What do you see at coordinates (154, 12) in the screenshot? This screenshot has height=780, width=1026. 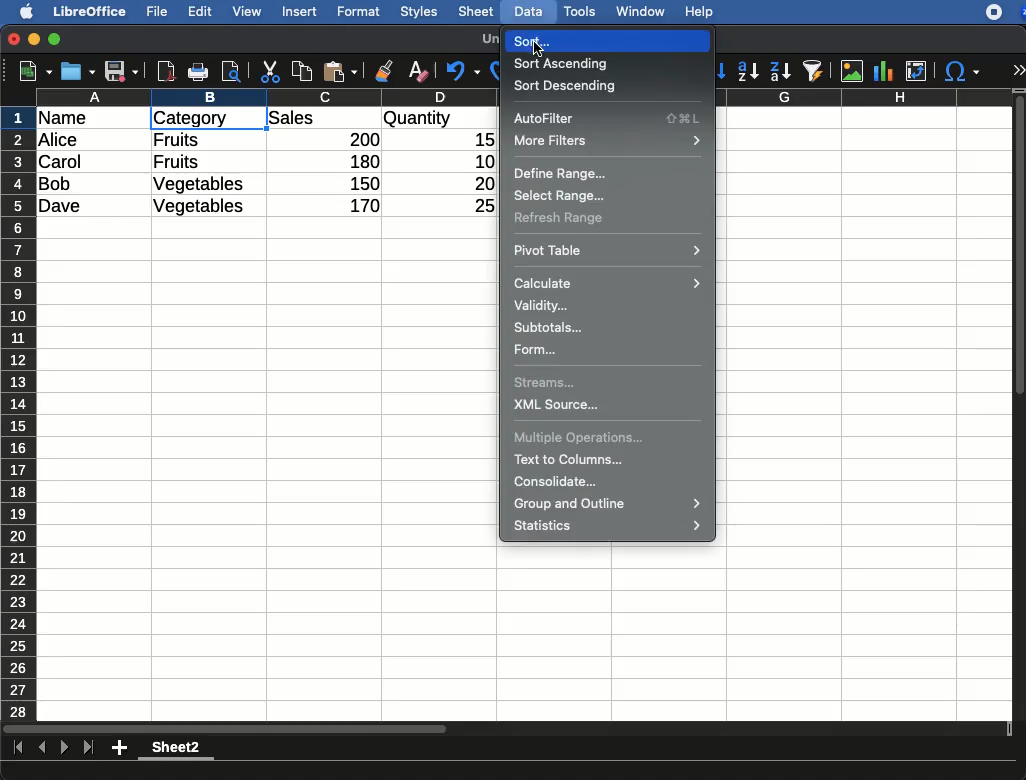 I see `file` at bounding box center [154, 12].